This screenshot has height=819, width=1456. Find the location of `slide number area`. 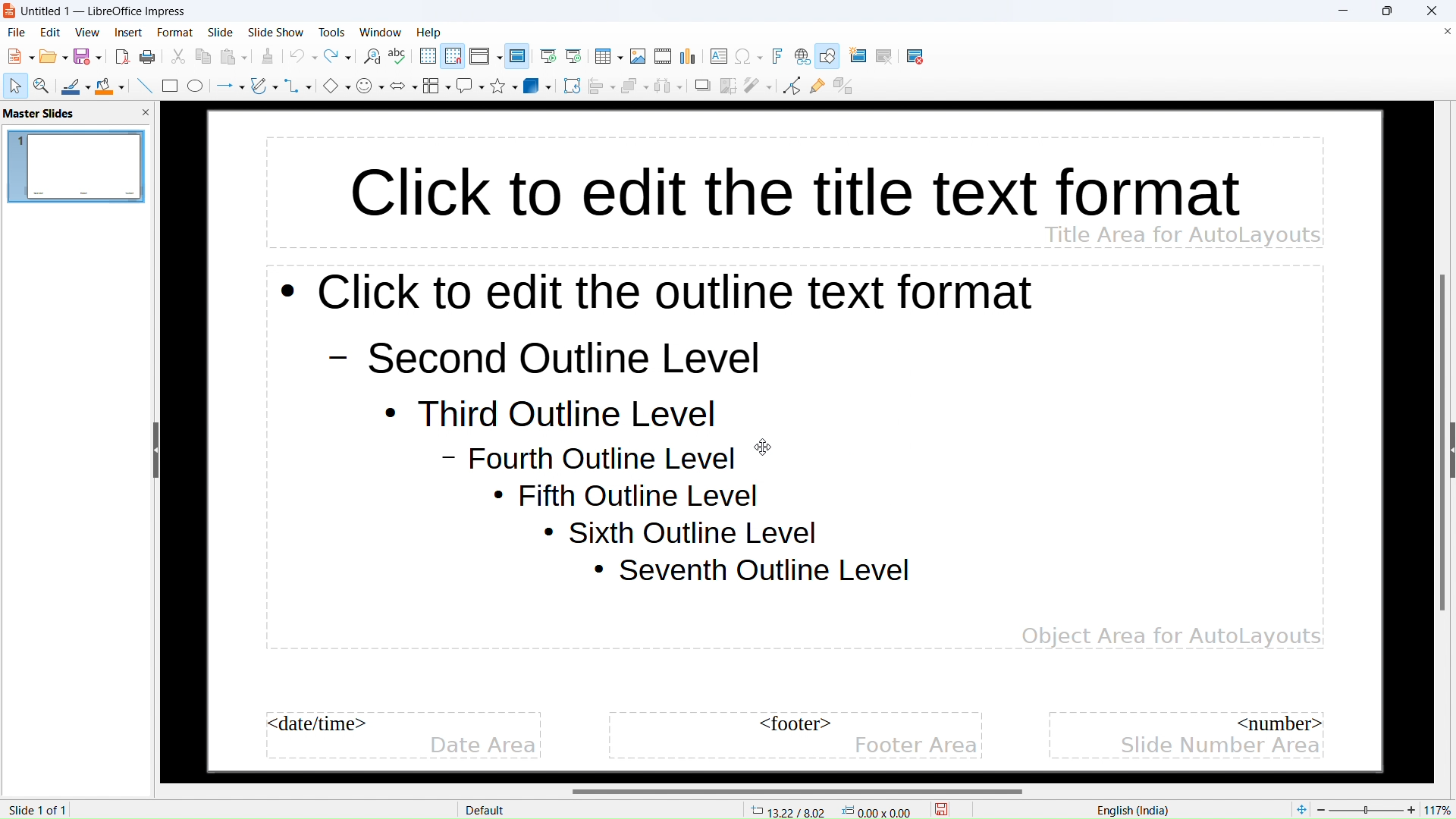

slide number area is located at coordinates (1217, 746).